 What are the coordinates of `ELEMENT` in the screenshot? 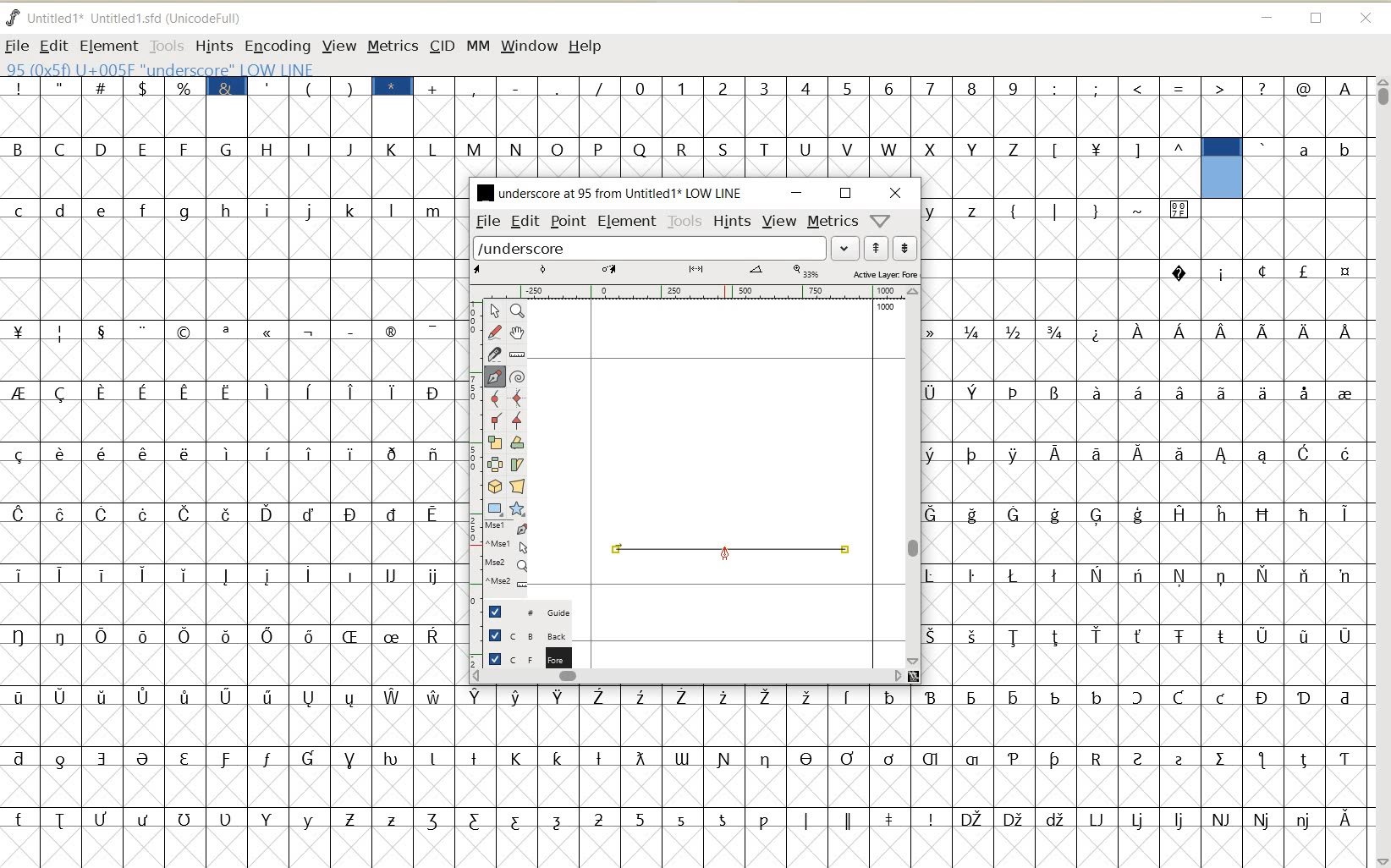 It's located at (627, 222).